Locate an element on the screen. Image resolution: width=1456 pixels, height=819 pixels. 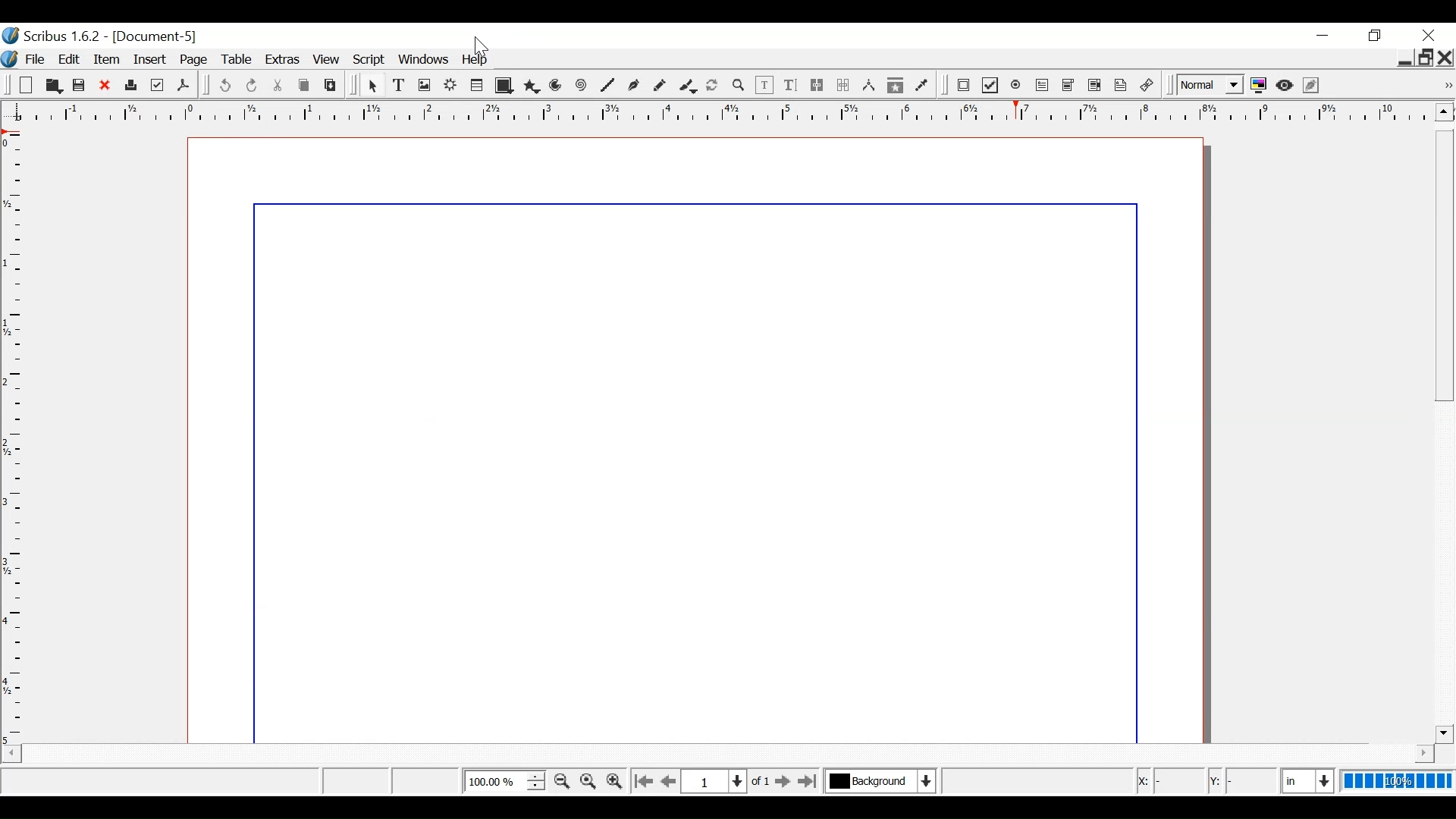
Measurements is located at coordinates (868, 86).